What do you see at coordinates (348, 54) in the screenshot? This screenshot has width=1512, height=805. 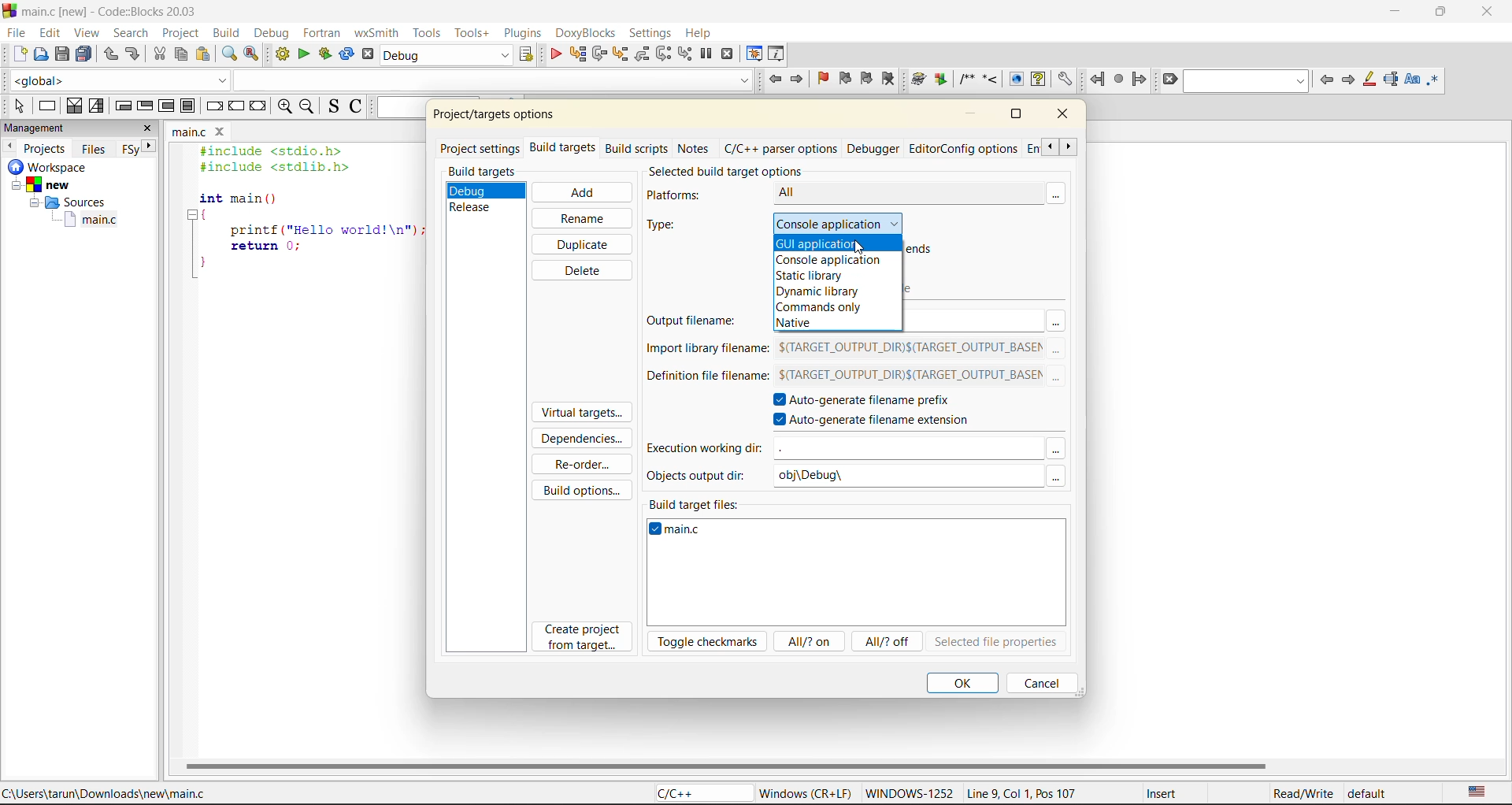 I see `rebuild` at bounding box center [348, 54].